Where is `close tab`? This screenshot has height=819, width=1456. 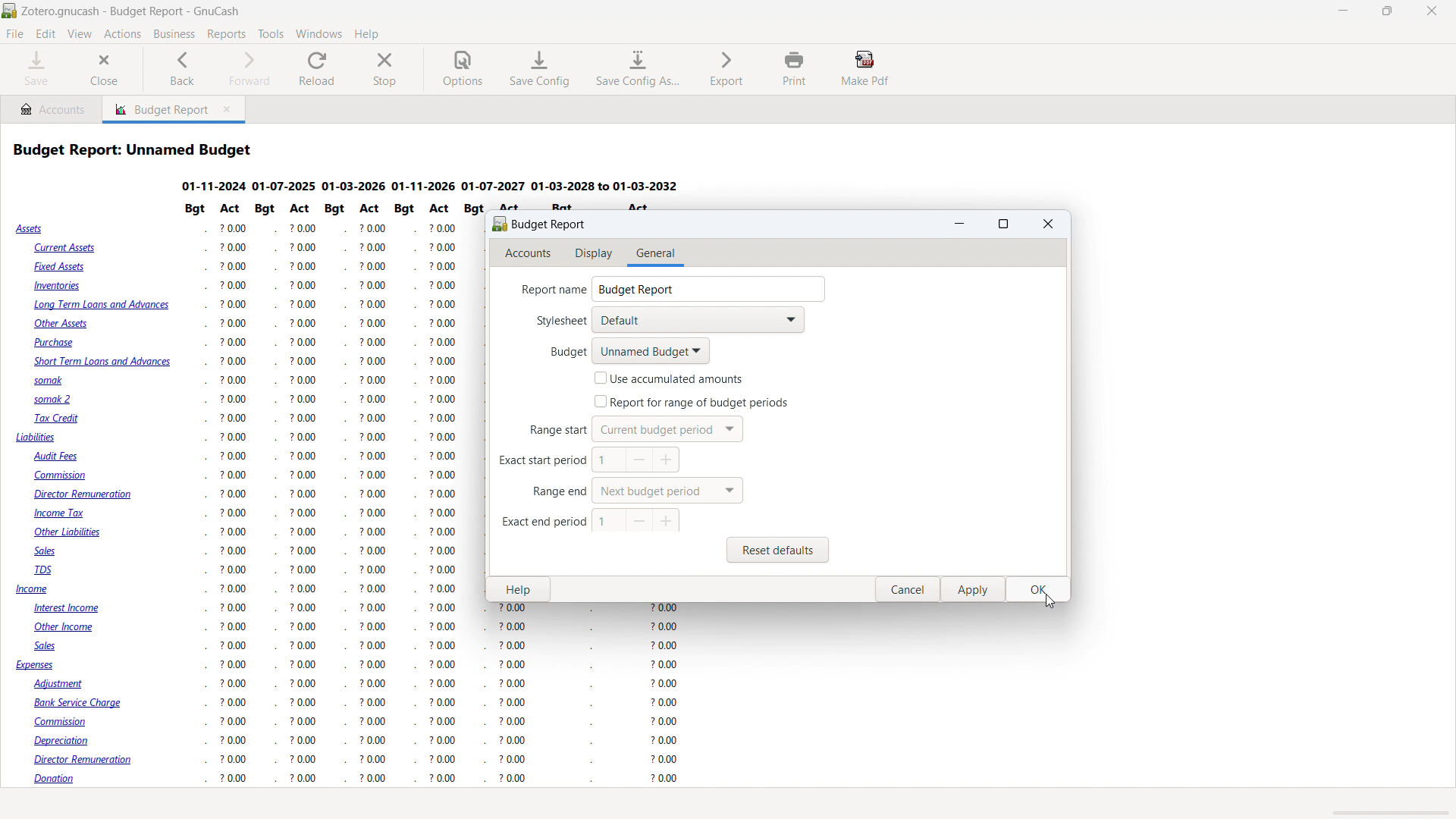
close tab is located at coordinates (230, 110).